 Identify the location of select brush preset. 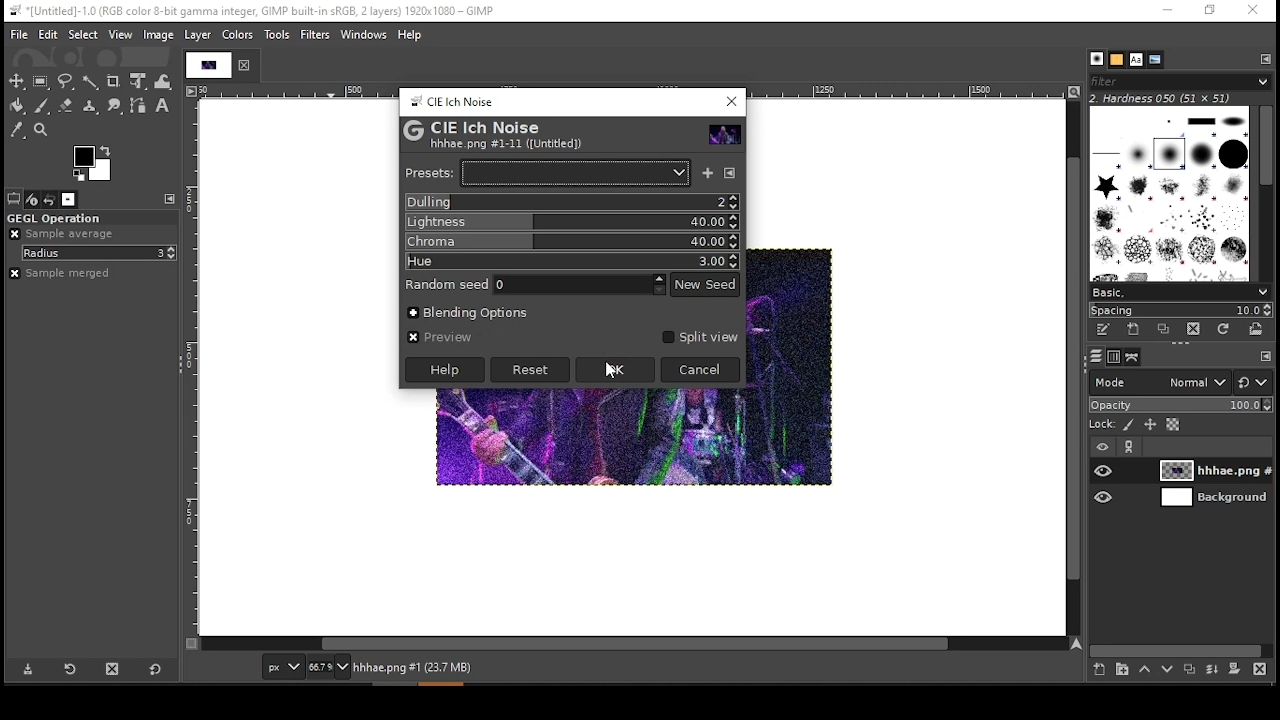
(1183, 293).